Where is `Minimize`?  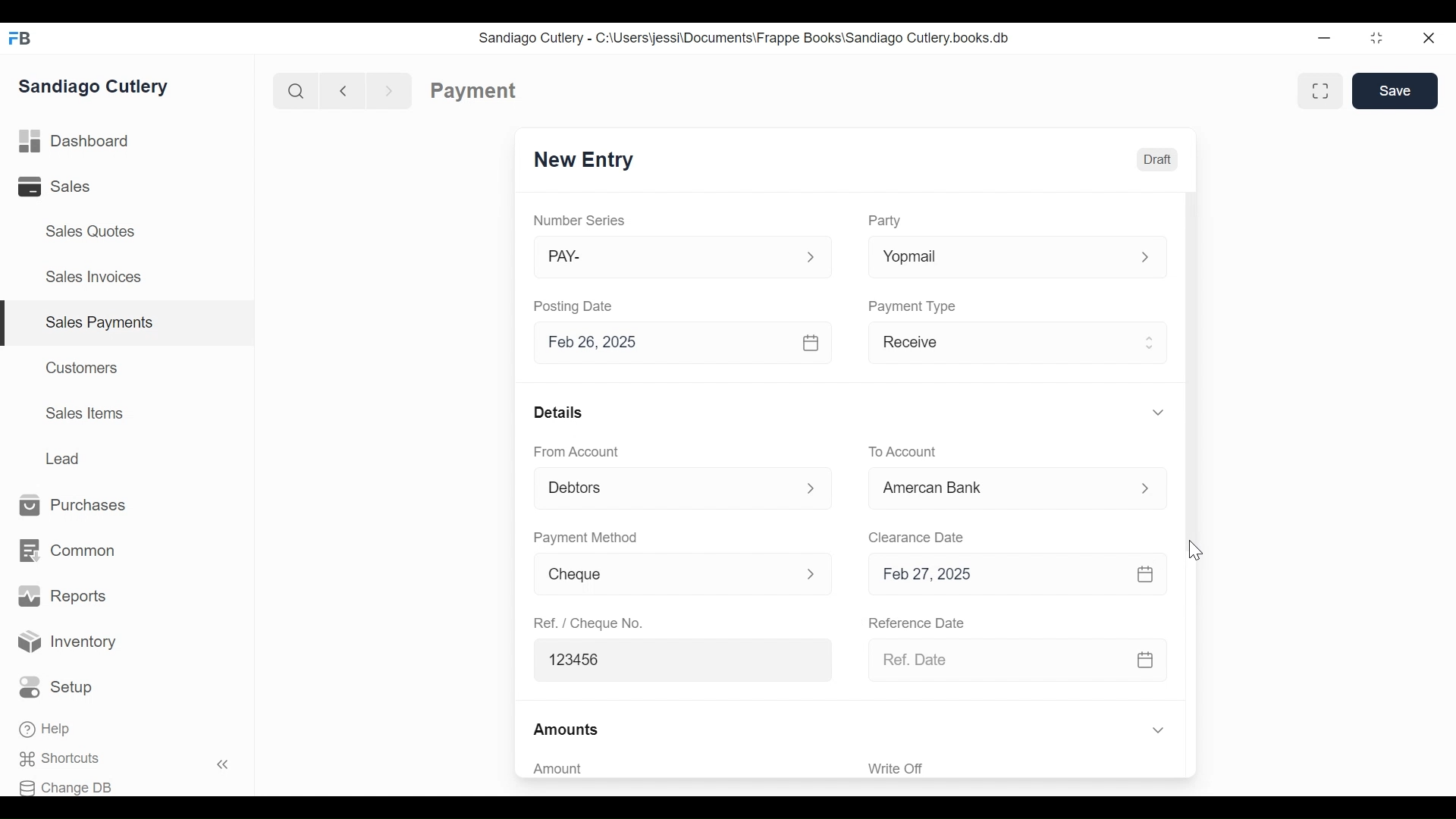 Minimize is located at coordinates (1324, 39).